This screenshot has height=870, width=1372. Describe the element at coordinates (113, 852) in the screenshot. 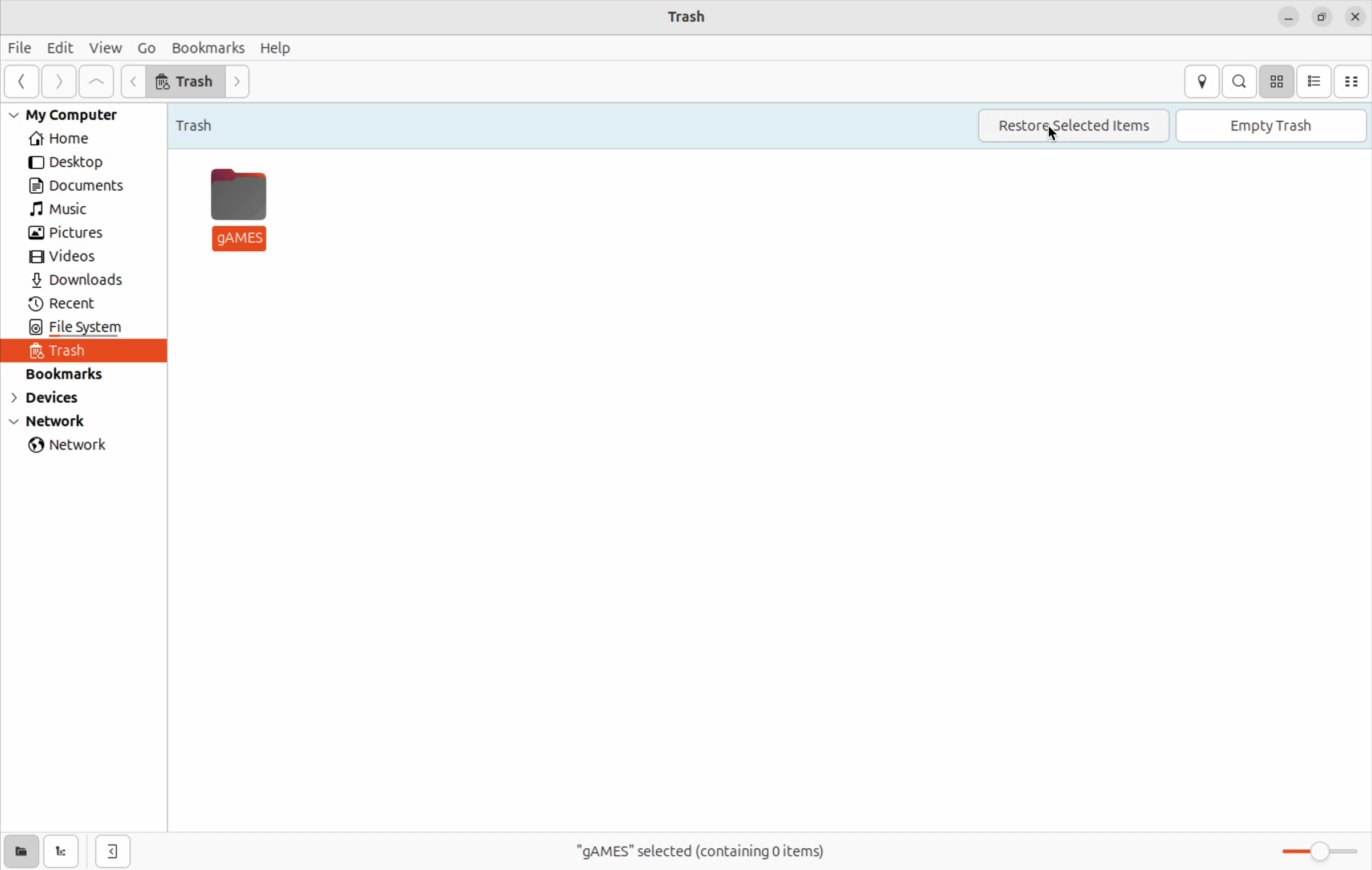

I see `hid side bar` at that location.